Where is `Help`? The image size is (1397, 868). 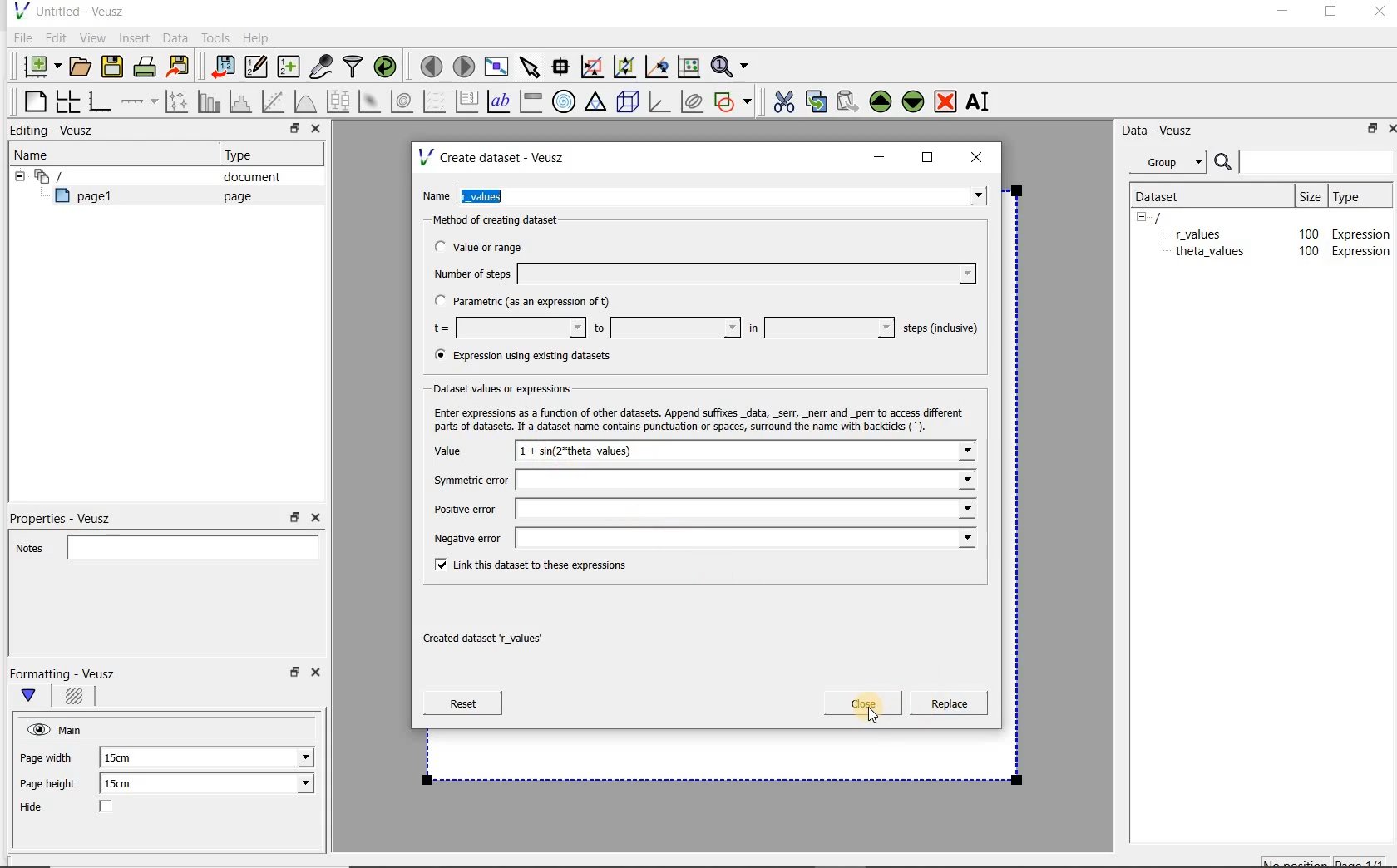 Help is located at coordinates (258, 37).